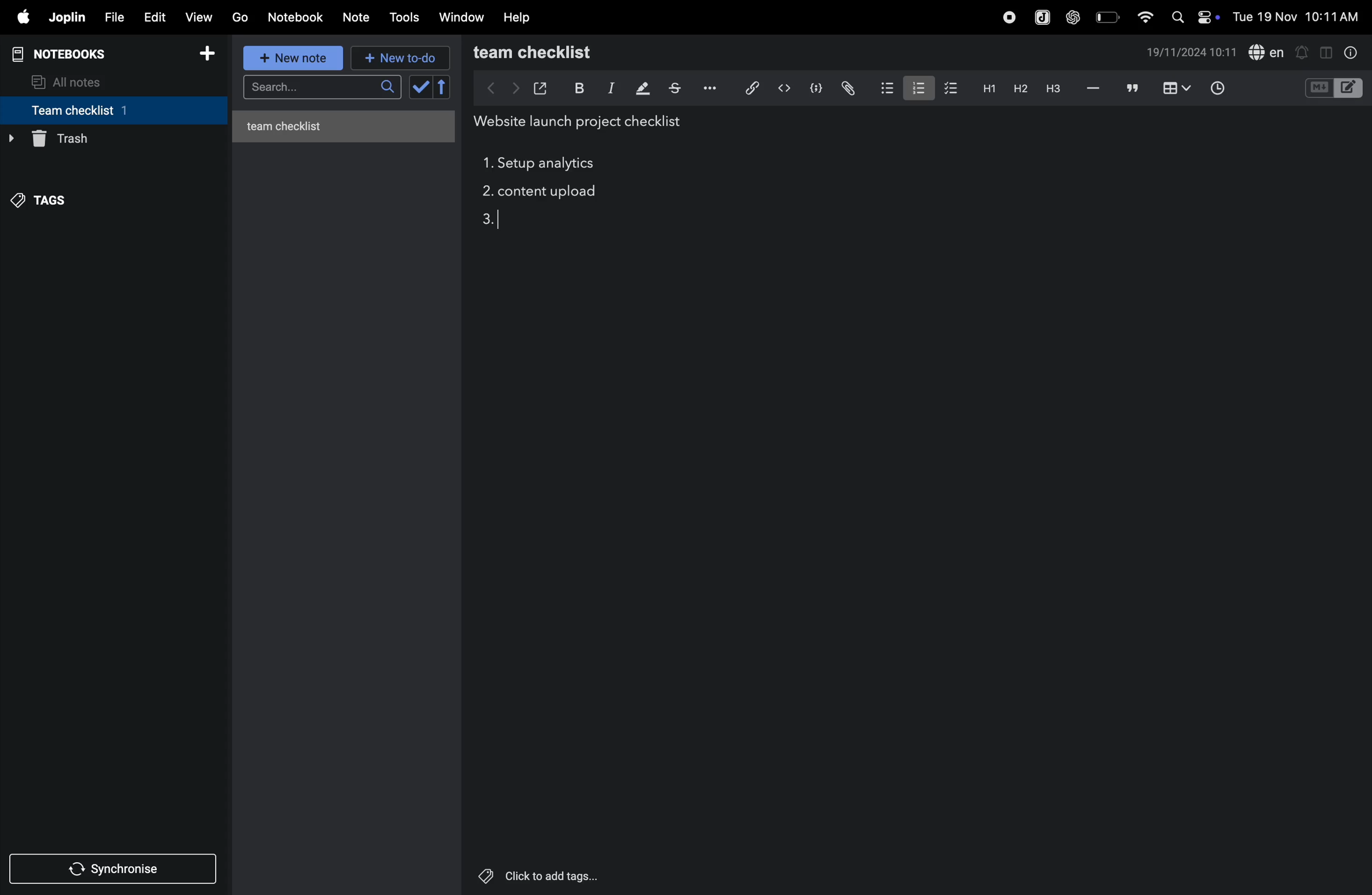 Image resolution: width=1372 pixels, height=895 pixels. What do you see at coordinates (493, 221) in the screenshot?
I see `task 3` at bounding box center [493, 221].